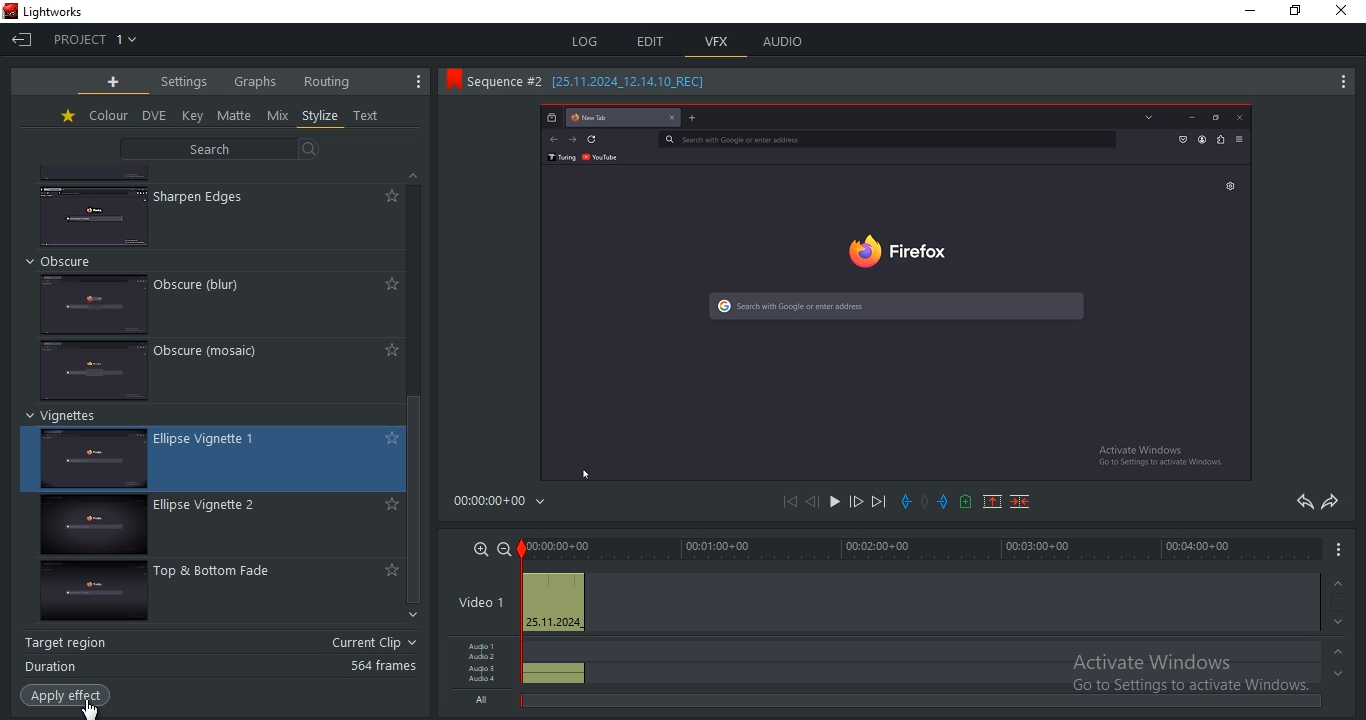  I want to click on graphs, so click(256, 82).